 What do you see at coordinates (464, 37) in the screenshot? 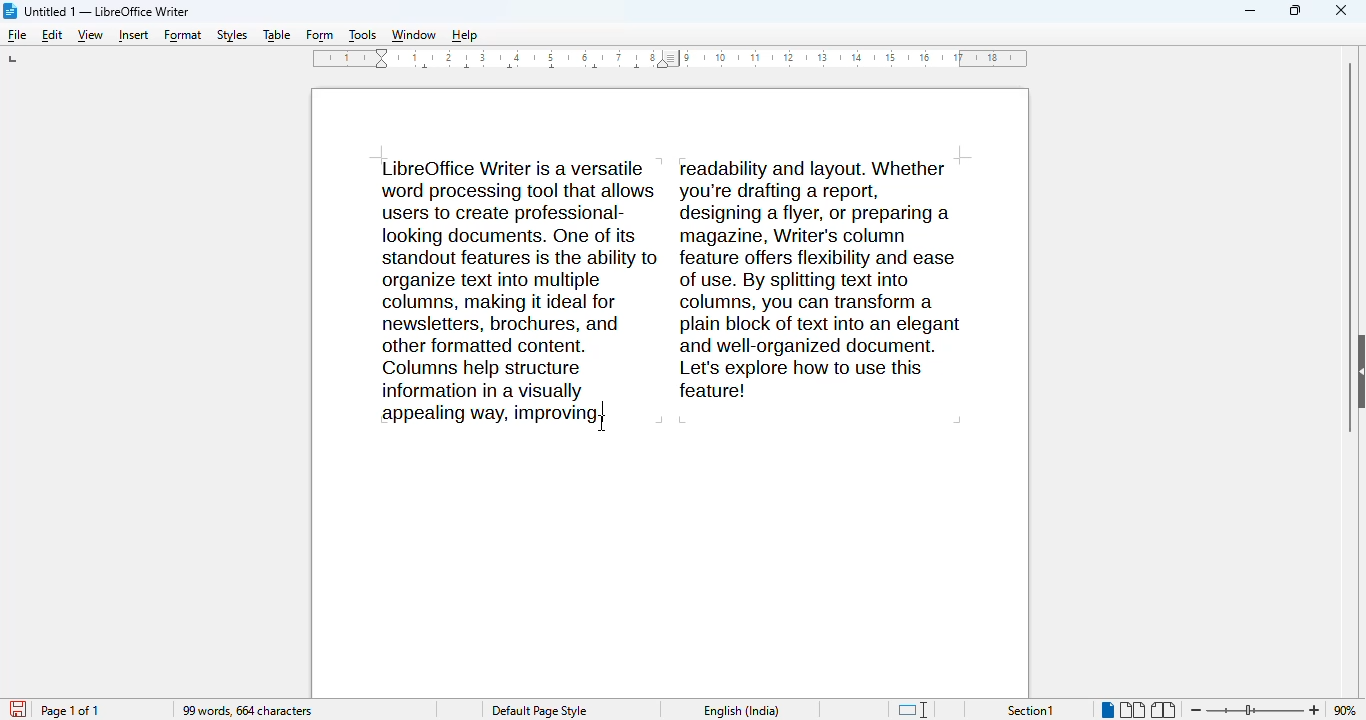
I see `help` at bounding box center [464, 37].